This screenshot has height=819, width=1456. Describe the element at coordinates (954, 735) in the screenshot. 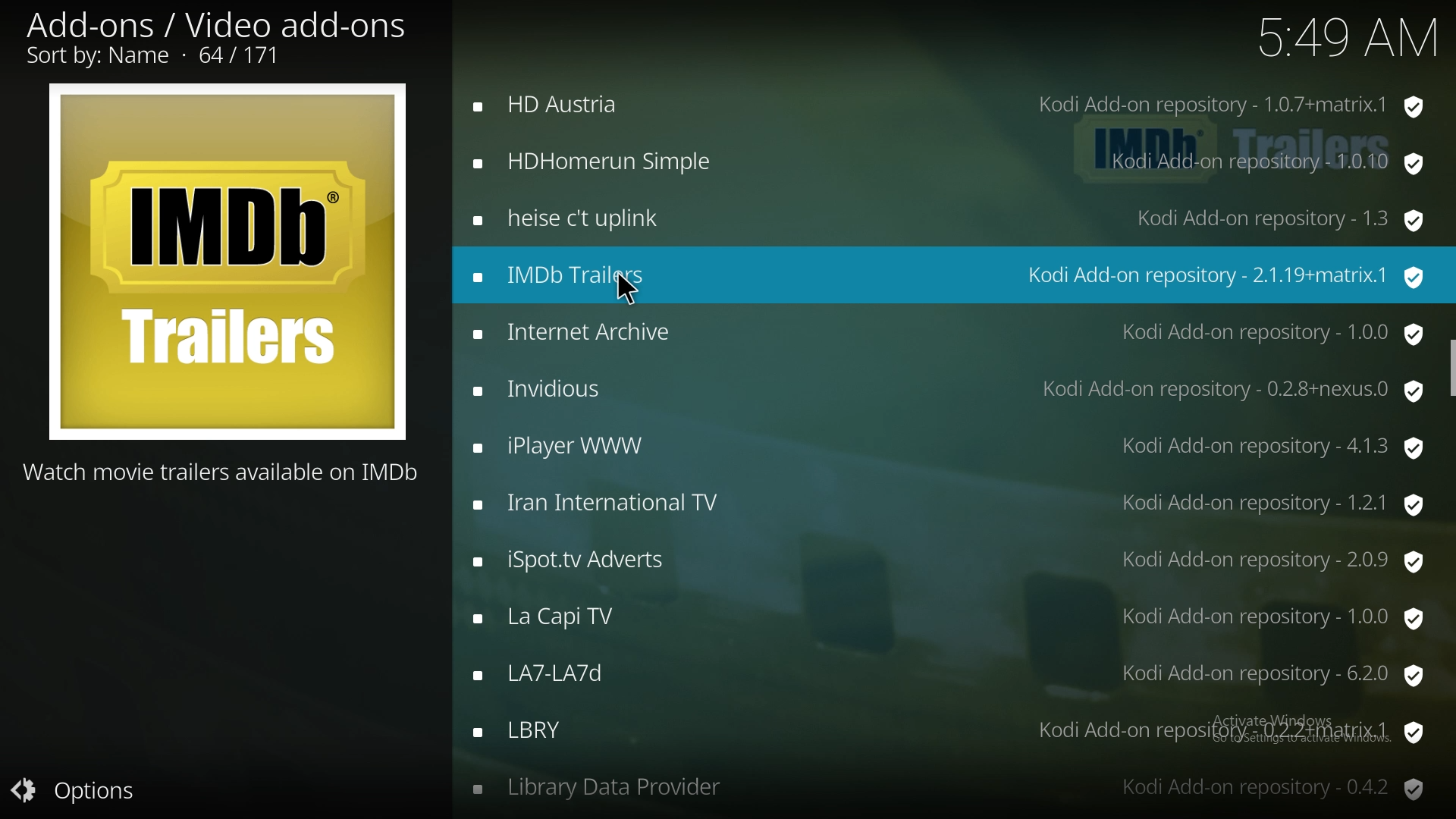

I see `add on` at that location.